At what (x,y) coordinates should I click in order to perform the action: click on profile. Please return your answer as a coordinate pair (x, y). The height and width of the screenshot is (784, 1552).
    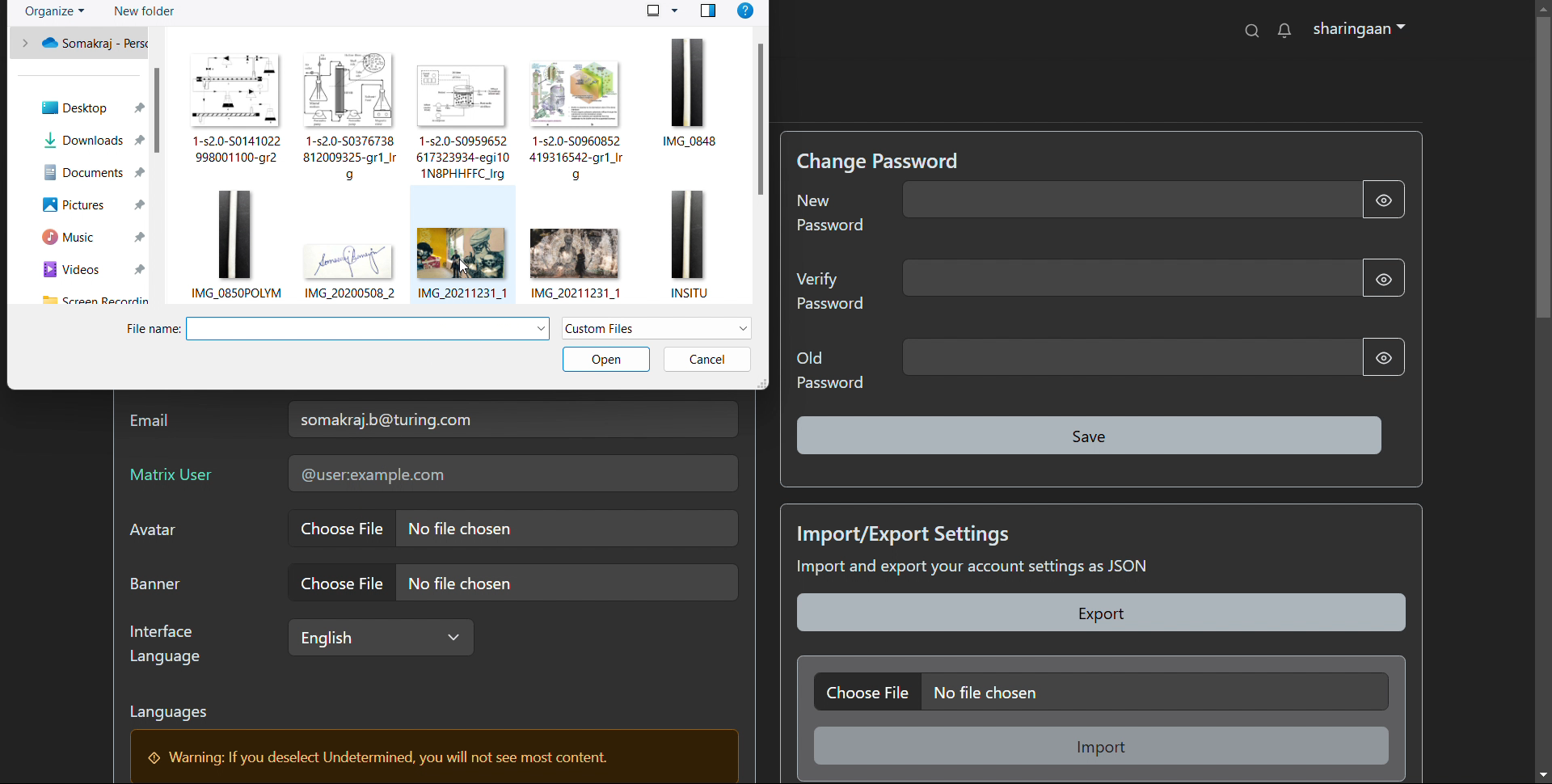
    Looking at the image, I should click on (1359, 30).